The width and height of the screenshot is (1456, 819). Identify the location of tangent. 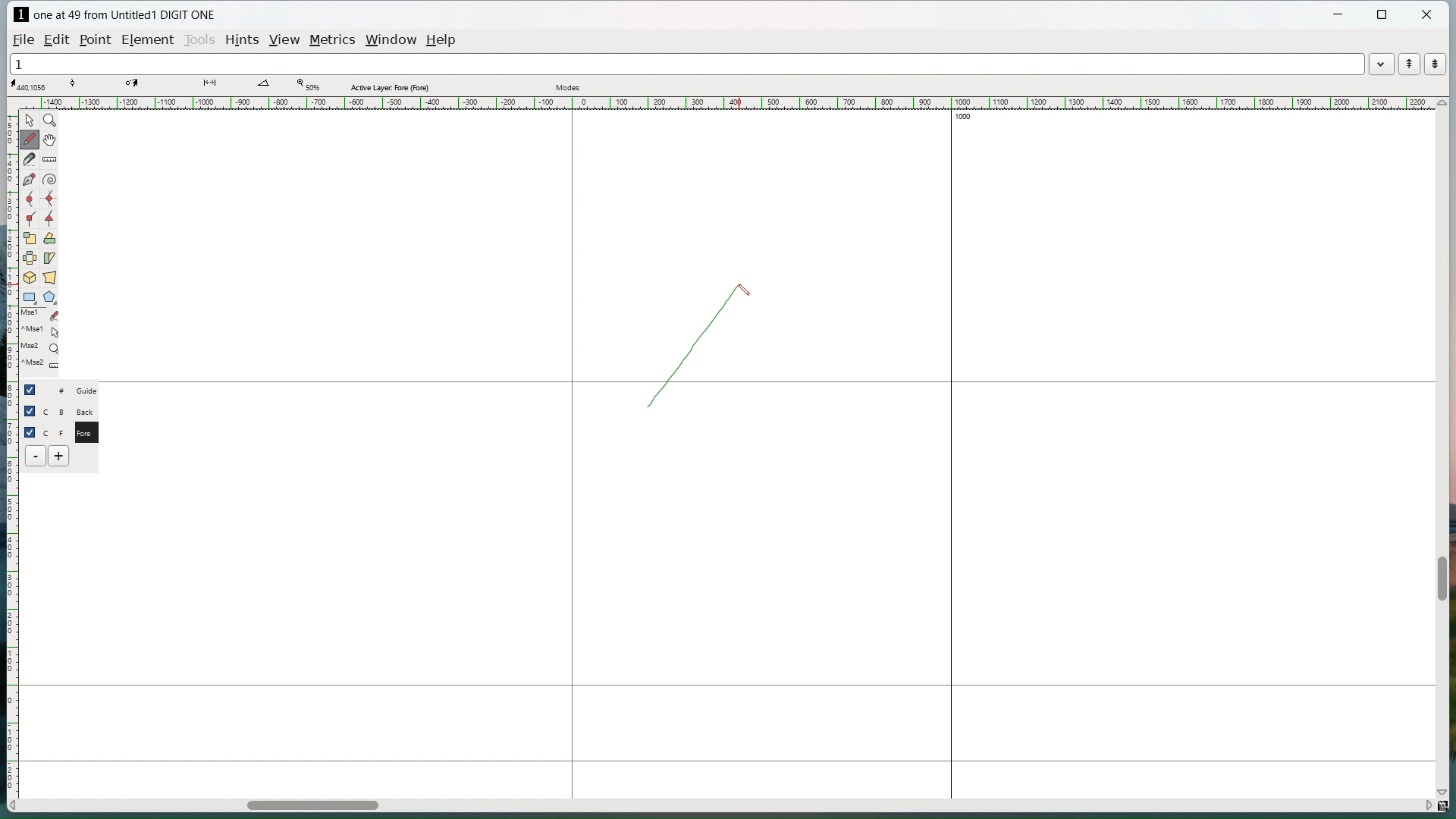
(74, 83).